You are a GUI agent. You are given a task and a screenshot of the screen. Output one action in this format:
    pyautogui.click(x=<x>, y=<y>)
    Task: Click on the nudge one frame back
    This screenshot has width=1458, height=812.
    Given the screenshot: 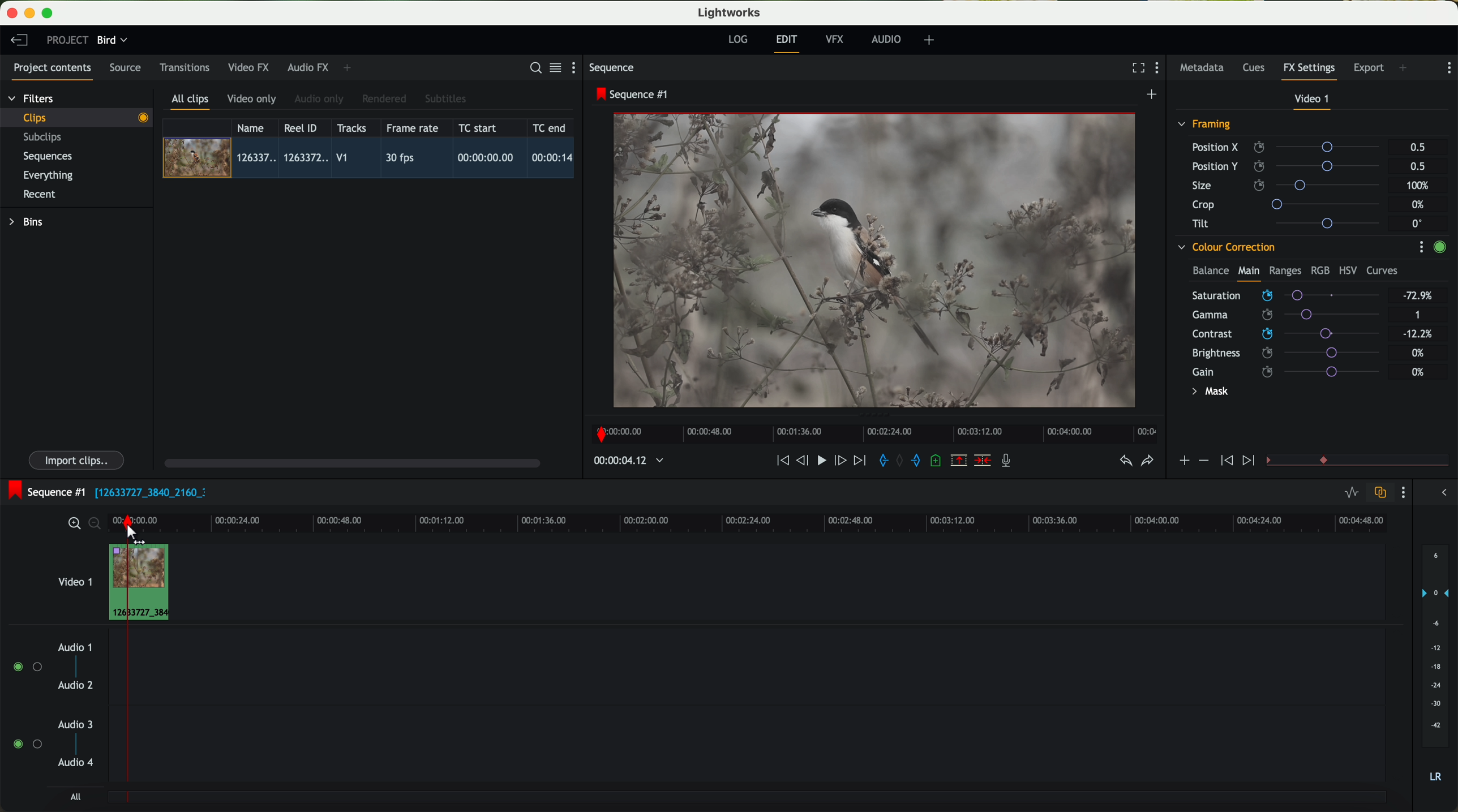 What is the action you would take?
    pyautogui.click(x=804, y=462)
    